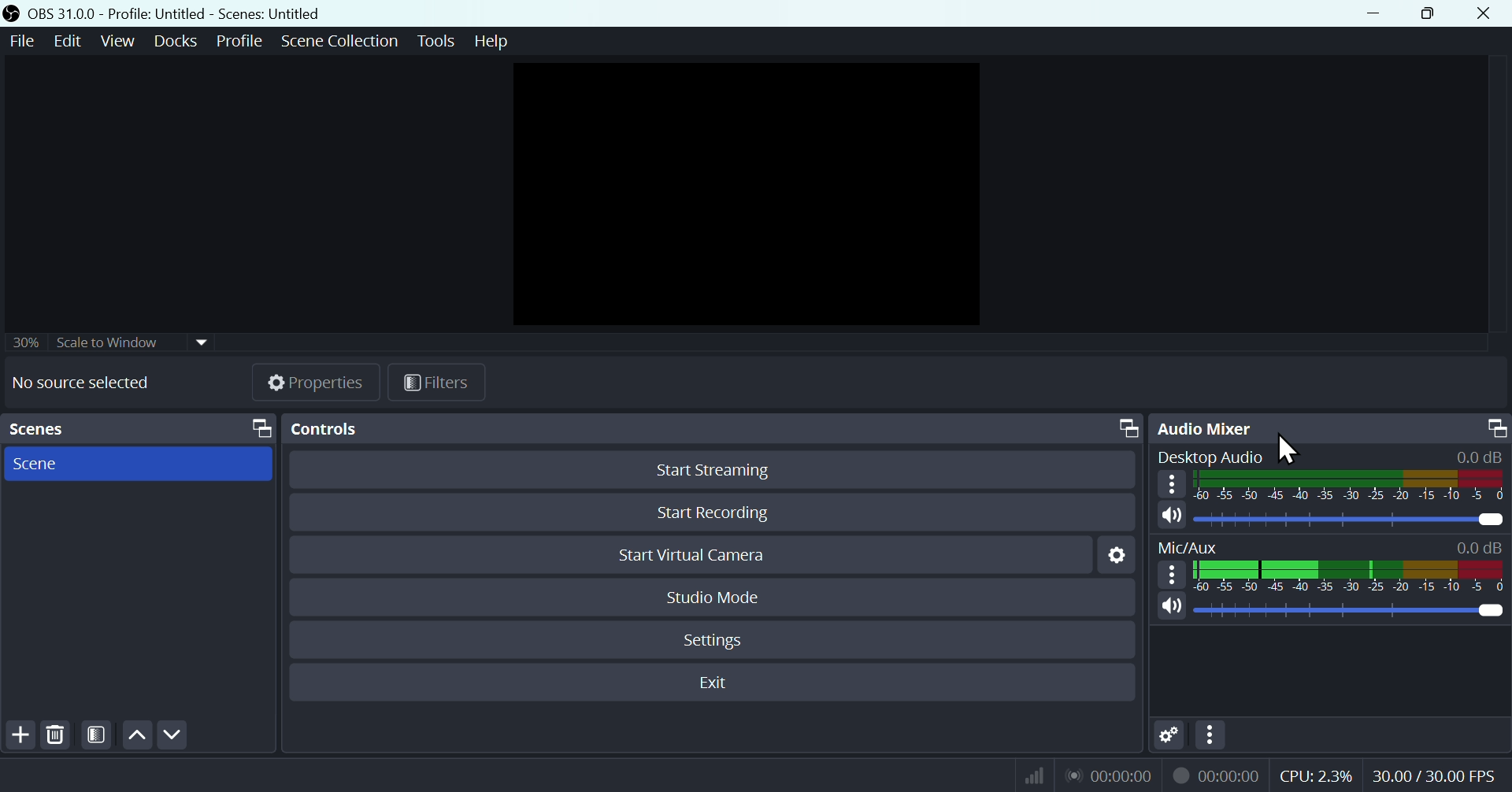 This screenshot has width=1512, height=792. What do you see at coordinates (1477, 455) in the screenshot?
I see `0.0dB` at bounding box center [1477, 455].